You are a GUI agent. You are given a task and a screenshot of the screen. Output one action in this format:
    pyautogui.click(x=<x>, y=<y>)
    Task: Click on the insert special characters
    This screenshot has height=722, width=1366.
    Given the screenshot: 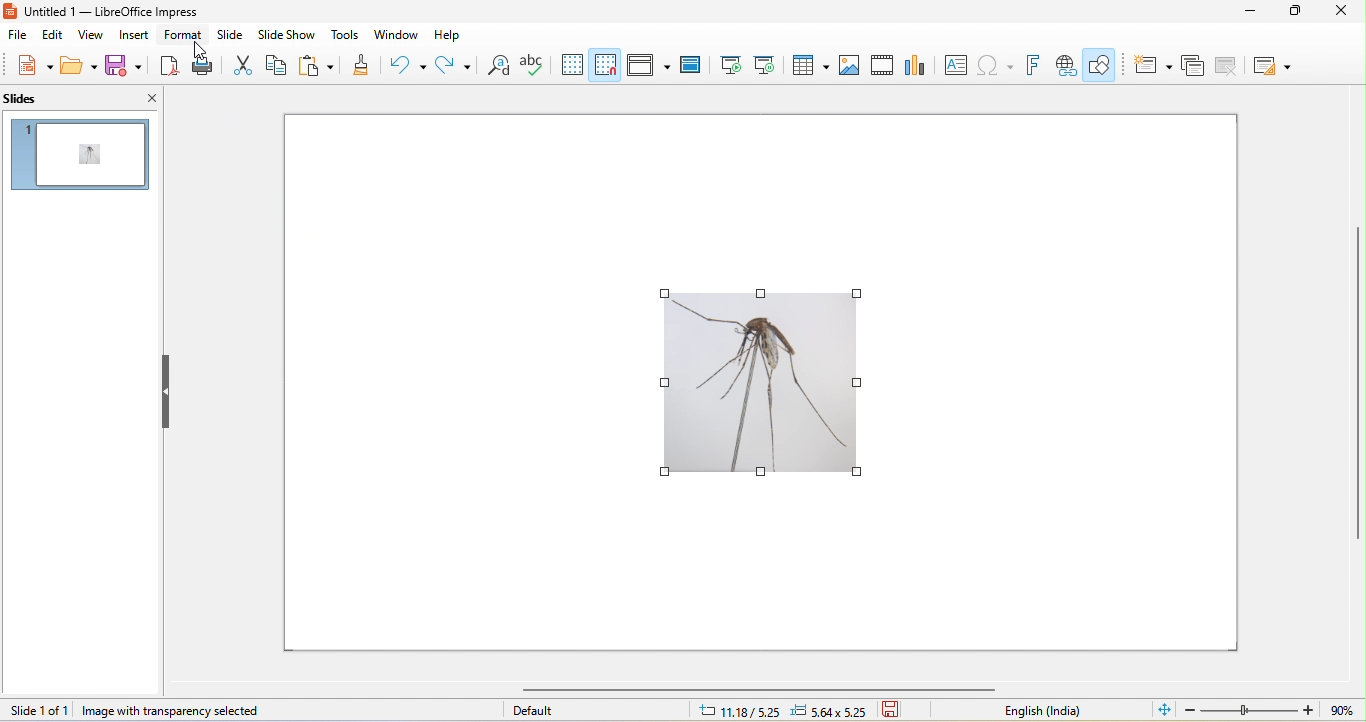 What is the action you would take?
    pyautogui.click(x=995, y=65)
    